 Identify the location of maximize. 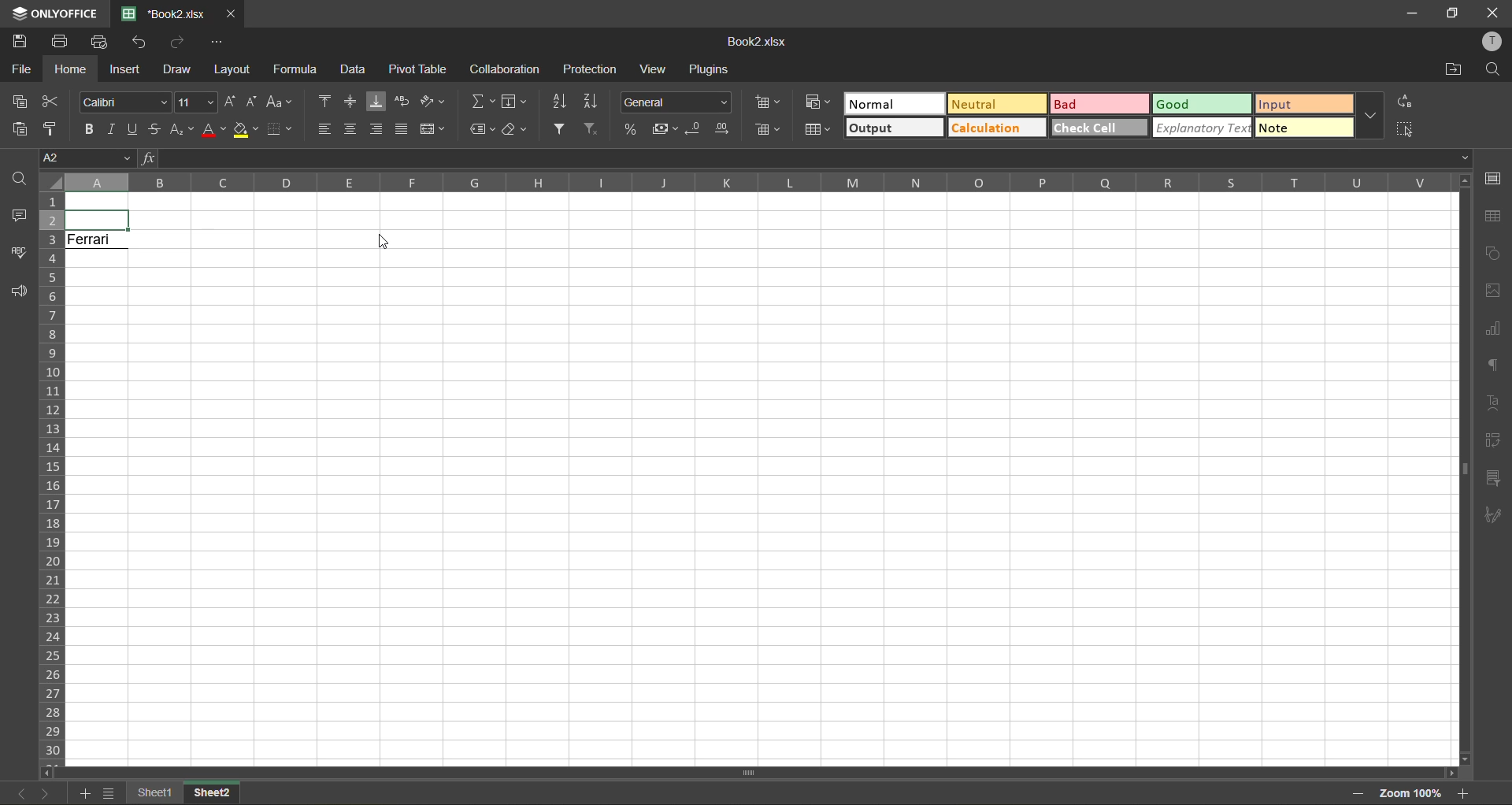
(1448, 13).